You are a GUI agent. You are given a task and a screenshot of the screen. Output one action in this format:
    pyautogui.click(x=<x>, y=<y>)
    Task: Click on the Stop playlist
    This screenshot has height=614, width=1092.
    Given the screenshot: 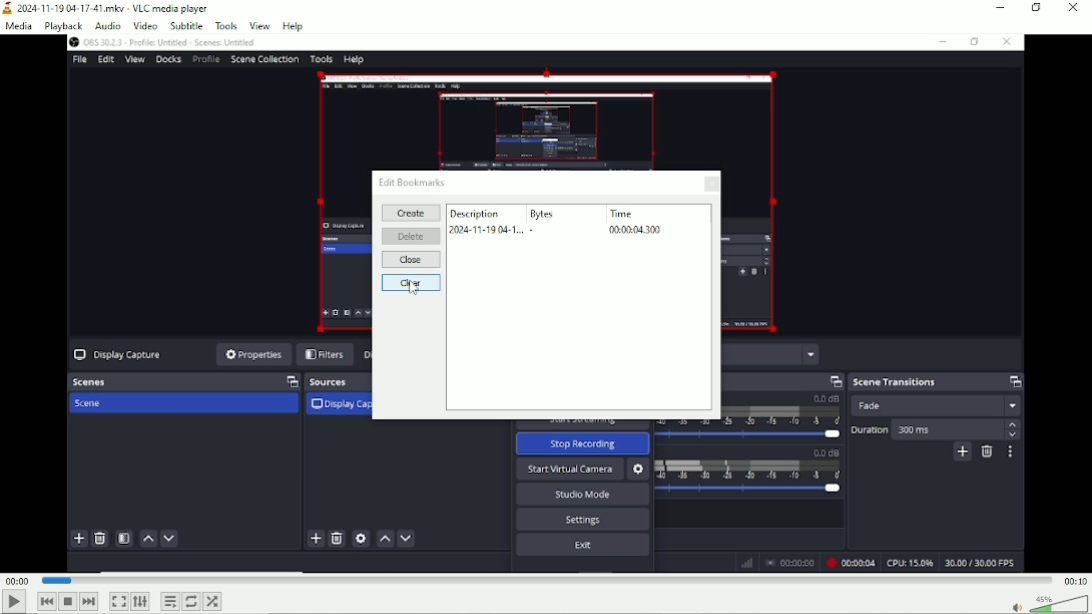 What is the action you would take?
    pyautogui.click(x=67, y=601)
    